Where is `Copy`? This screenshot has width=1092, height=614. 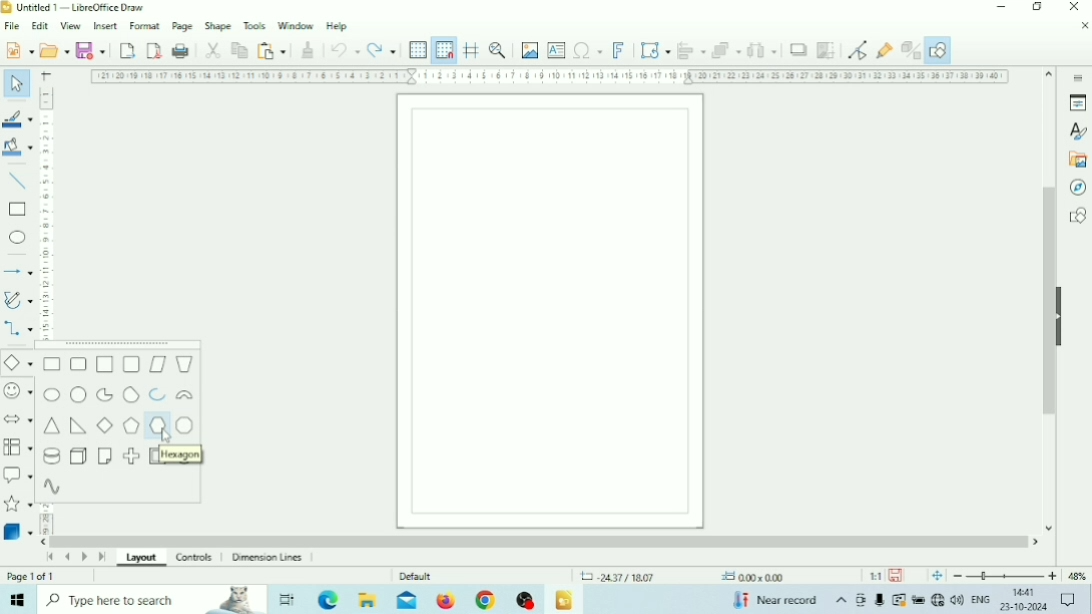
Copy is located at coordinates (239, 50).